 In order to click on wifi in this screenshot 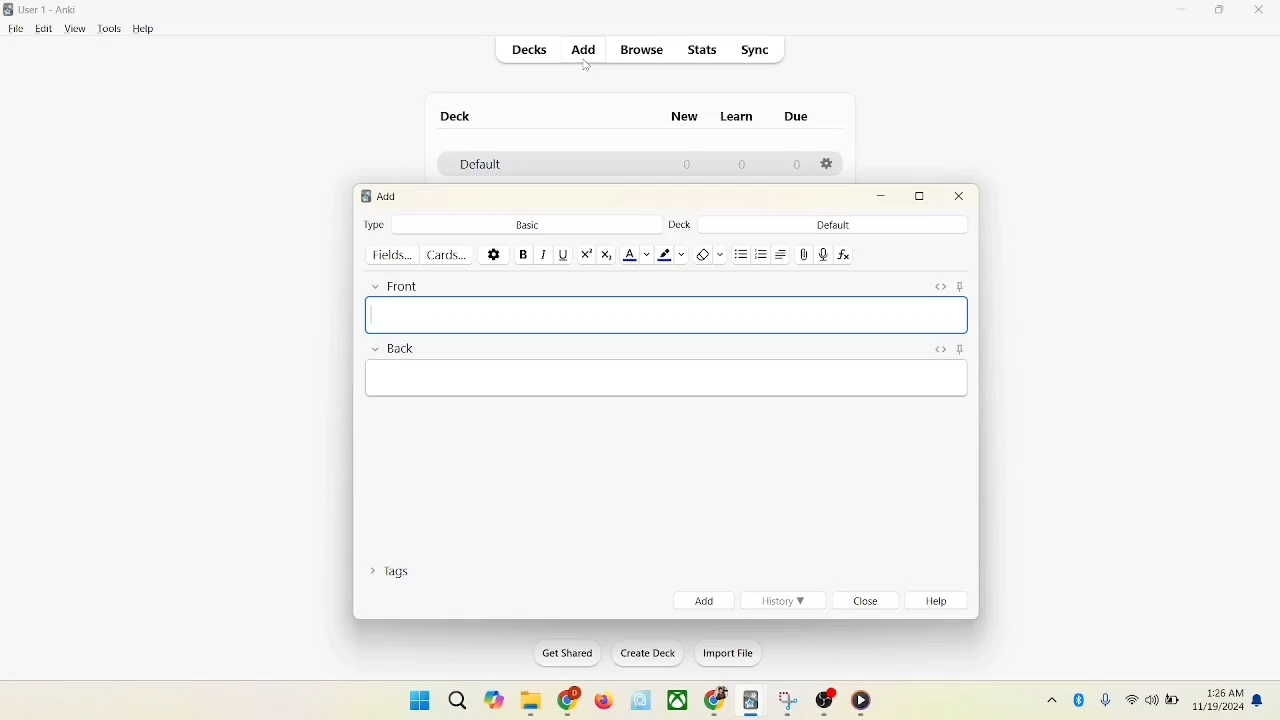, I will do `click(1130, 699)`.